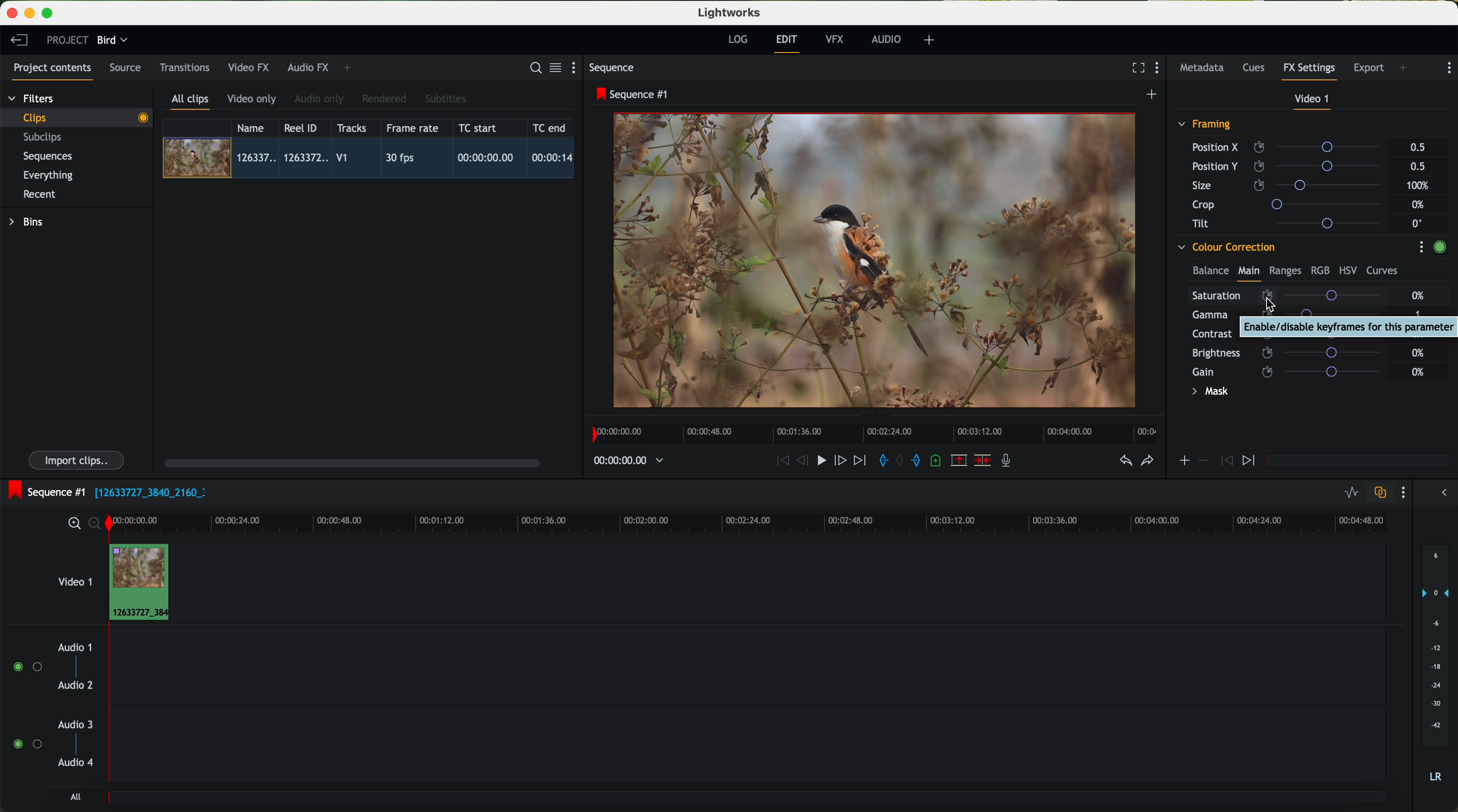 Image resolution: width=1458 pixels, height=812 pixels. What do you see at coordinates (67, 40) in the screenshot?
I see `project` at bounding box center [67, 40].